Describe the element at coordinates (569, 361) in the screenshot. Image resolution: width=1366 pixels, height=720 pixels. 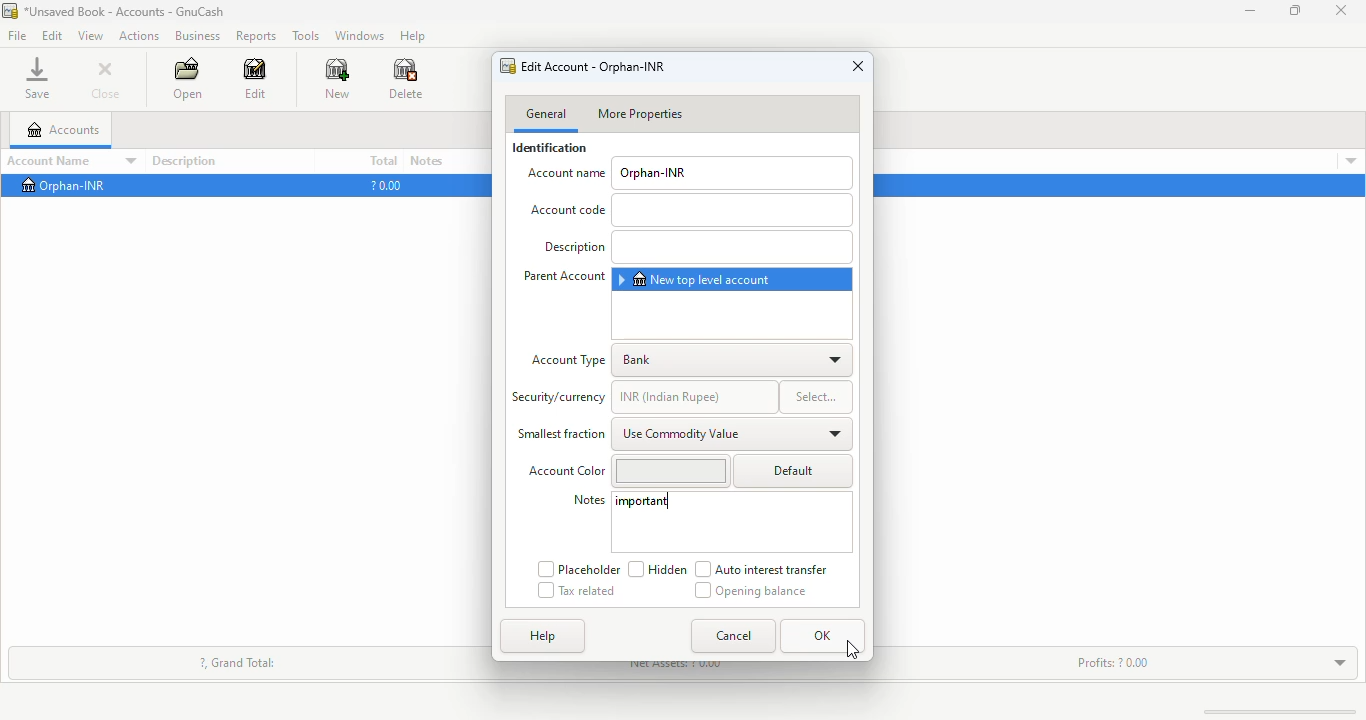
I see `account type` at that location.